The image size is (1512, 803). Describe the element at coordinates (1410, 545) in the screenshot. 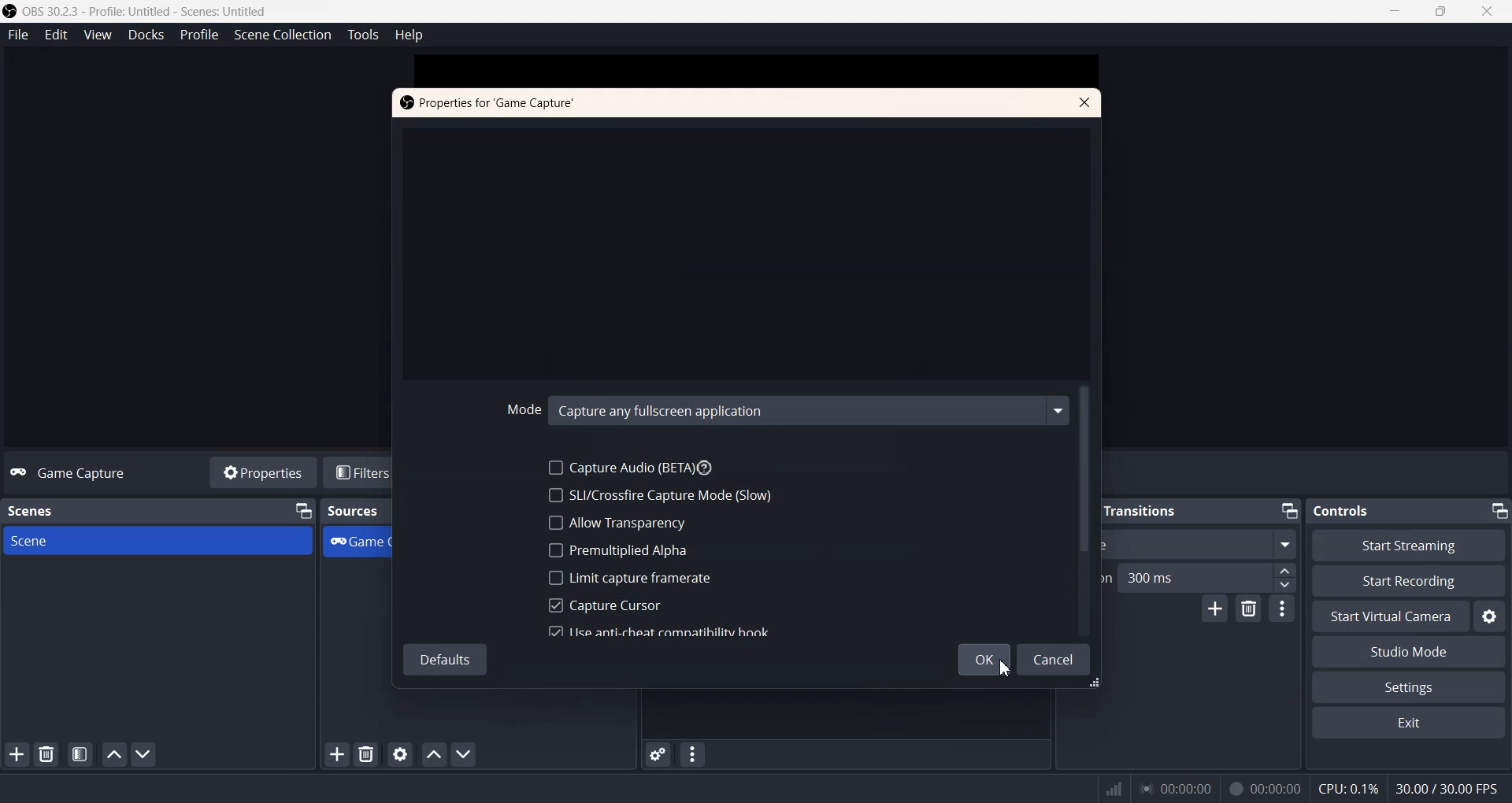

I see `Start streaming` at that location.